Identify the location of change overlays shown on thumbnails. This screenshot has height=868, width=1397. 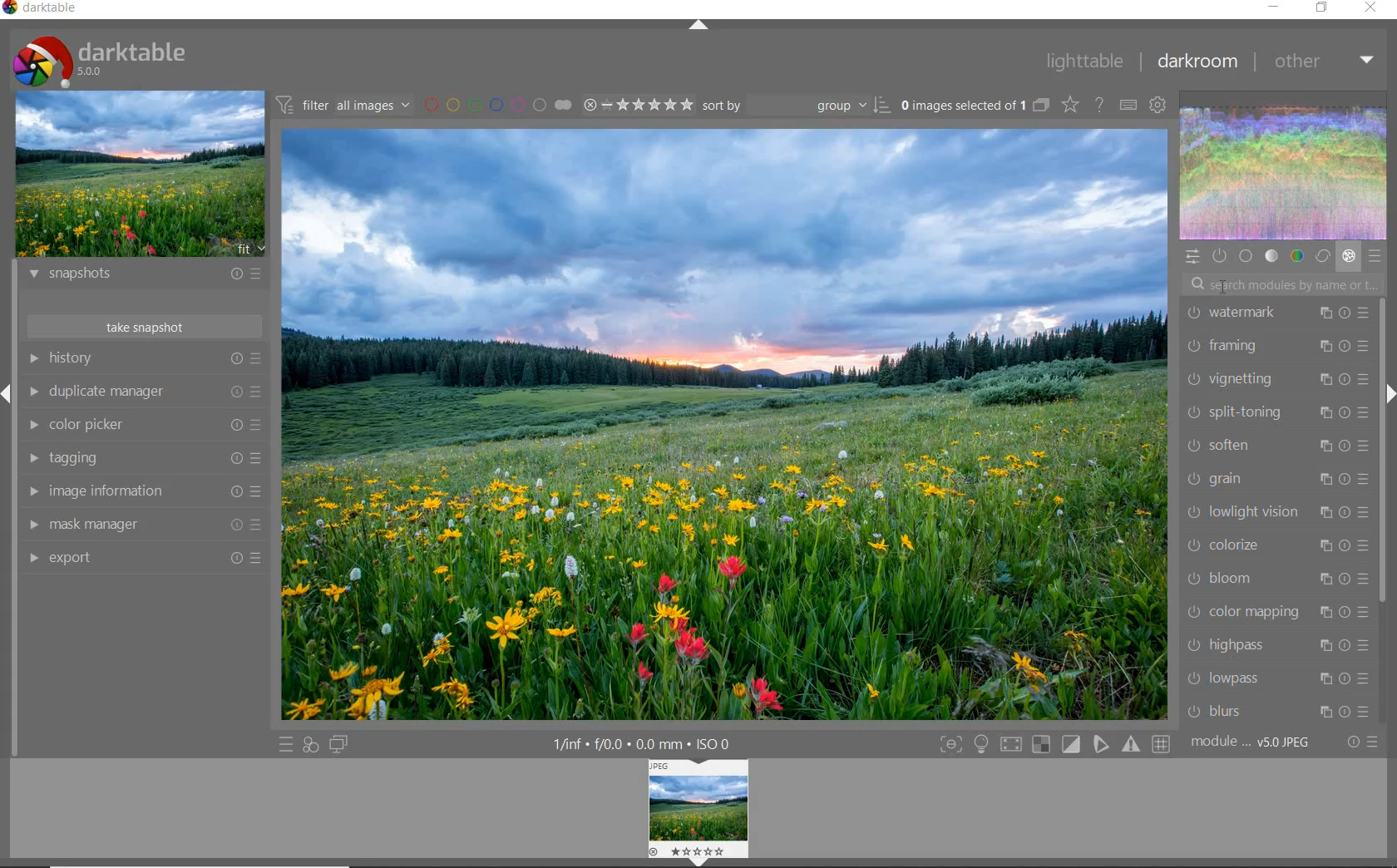
(1069, 106).